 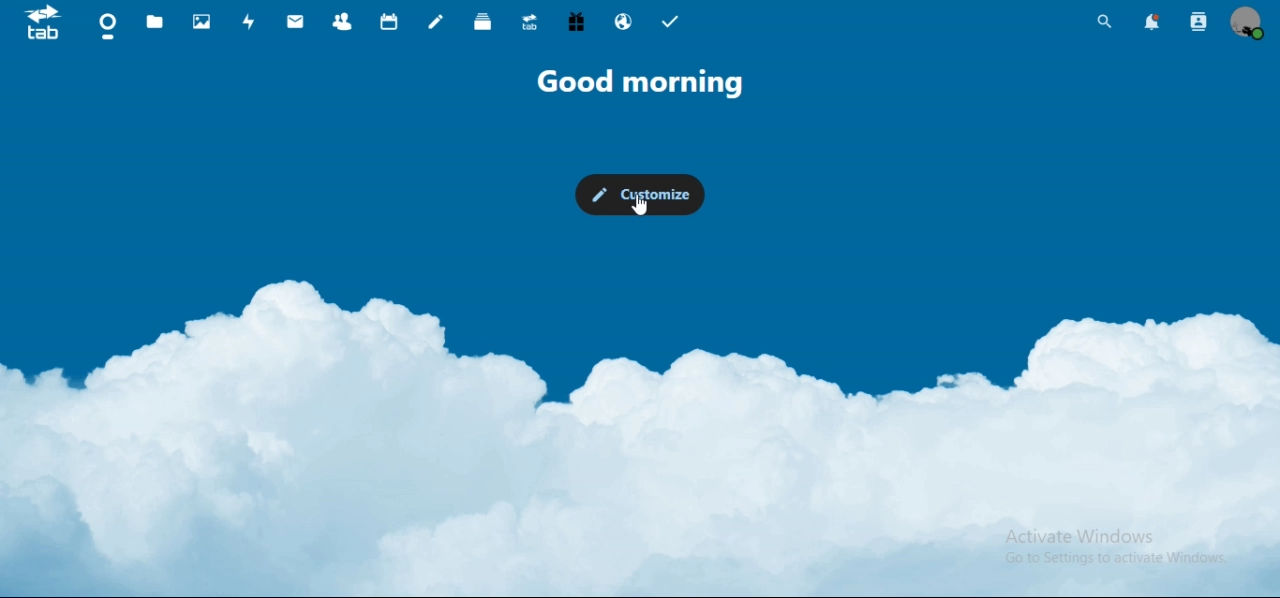 I want to click on files, so click(x=154, y=22).